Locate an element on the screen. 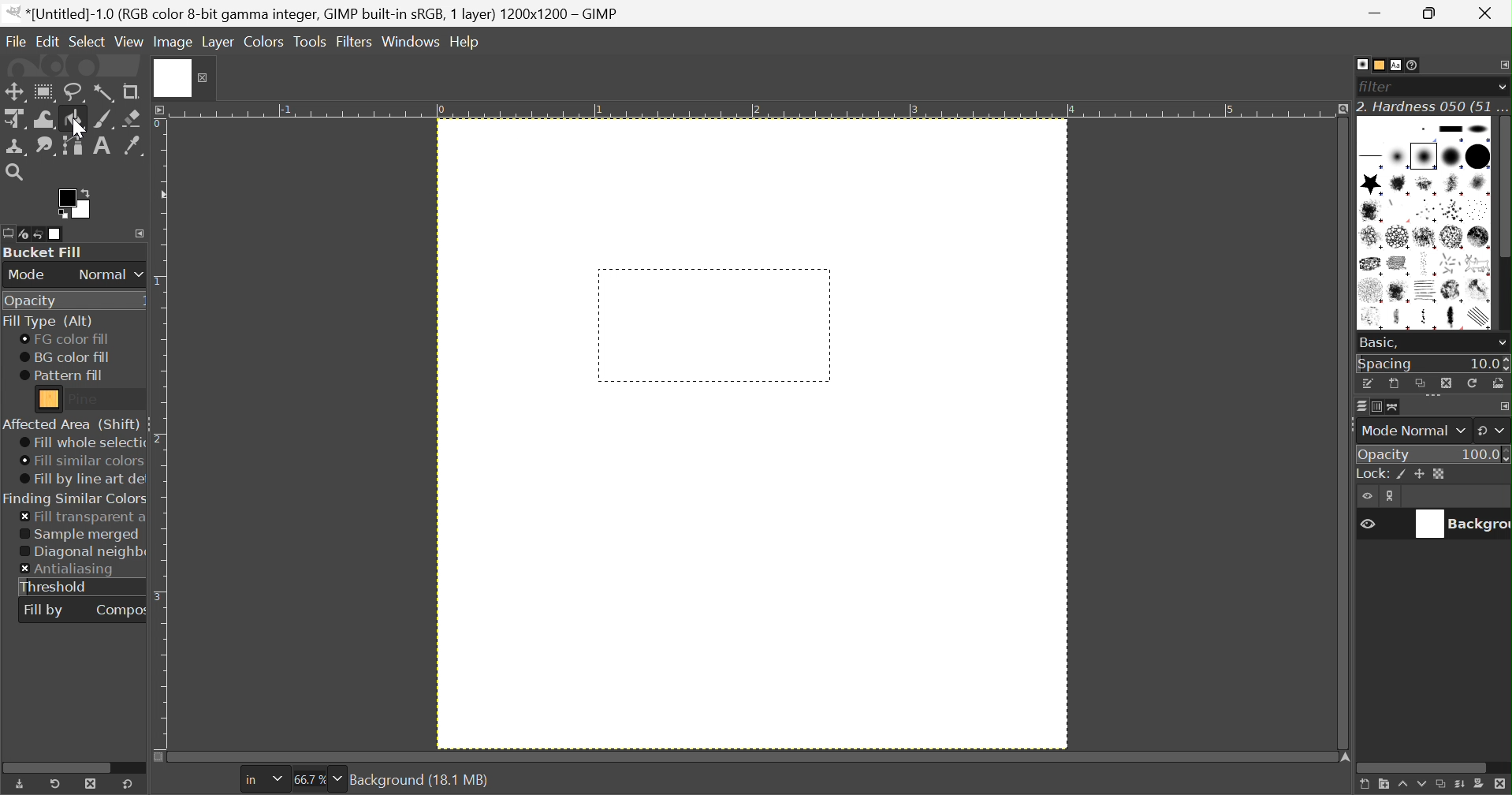  Edit Layer is located at coordinates (1393, 496).